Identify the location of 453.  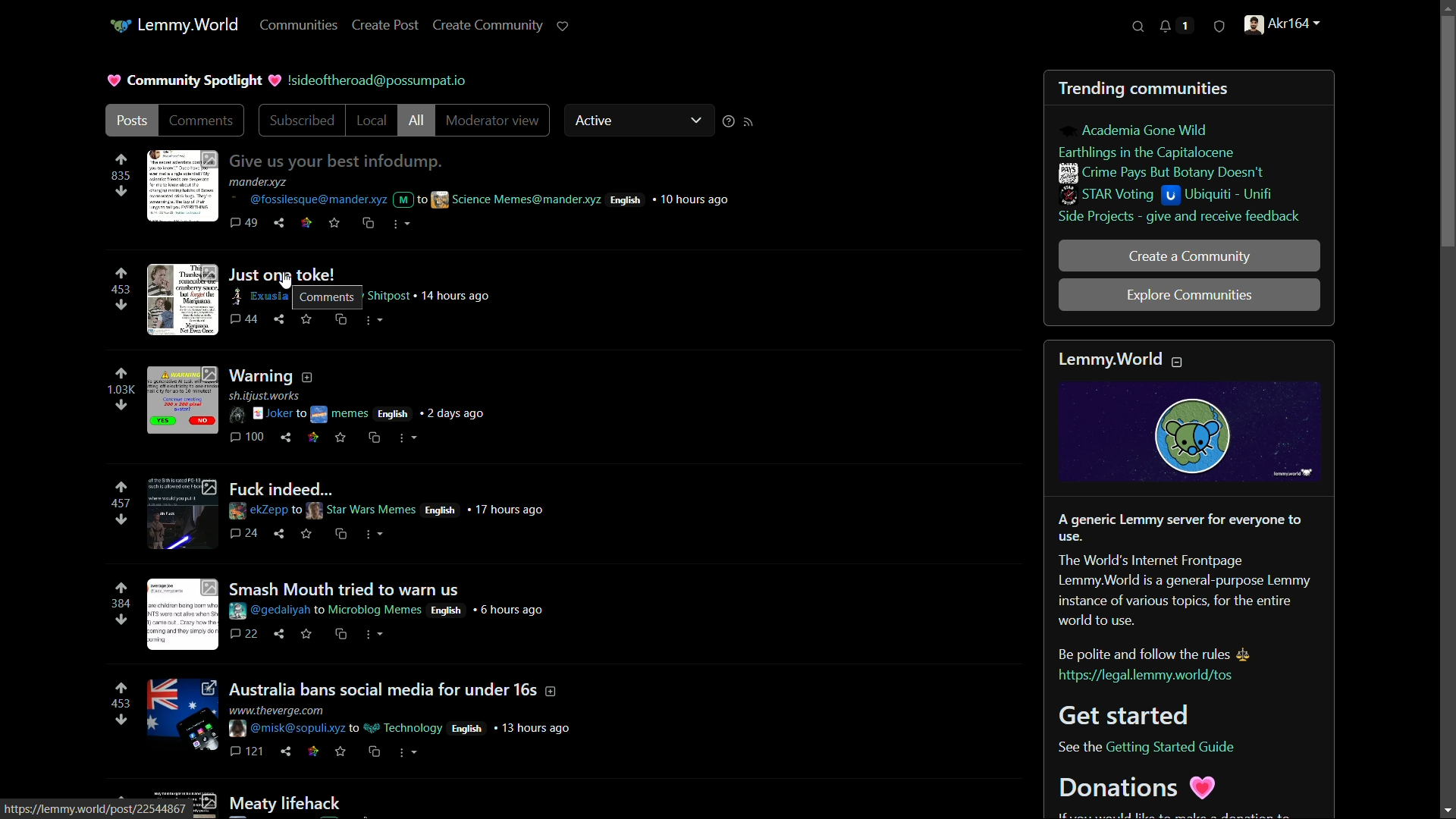
(124, 704).